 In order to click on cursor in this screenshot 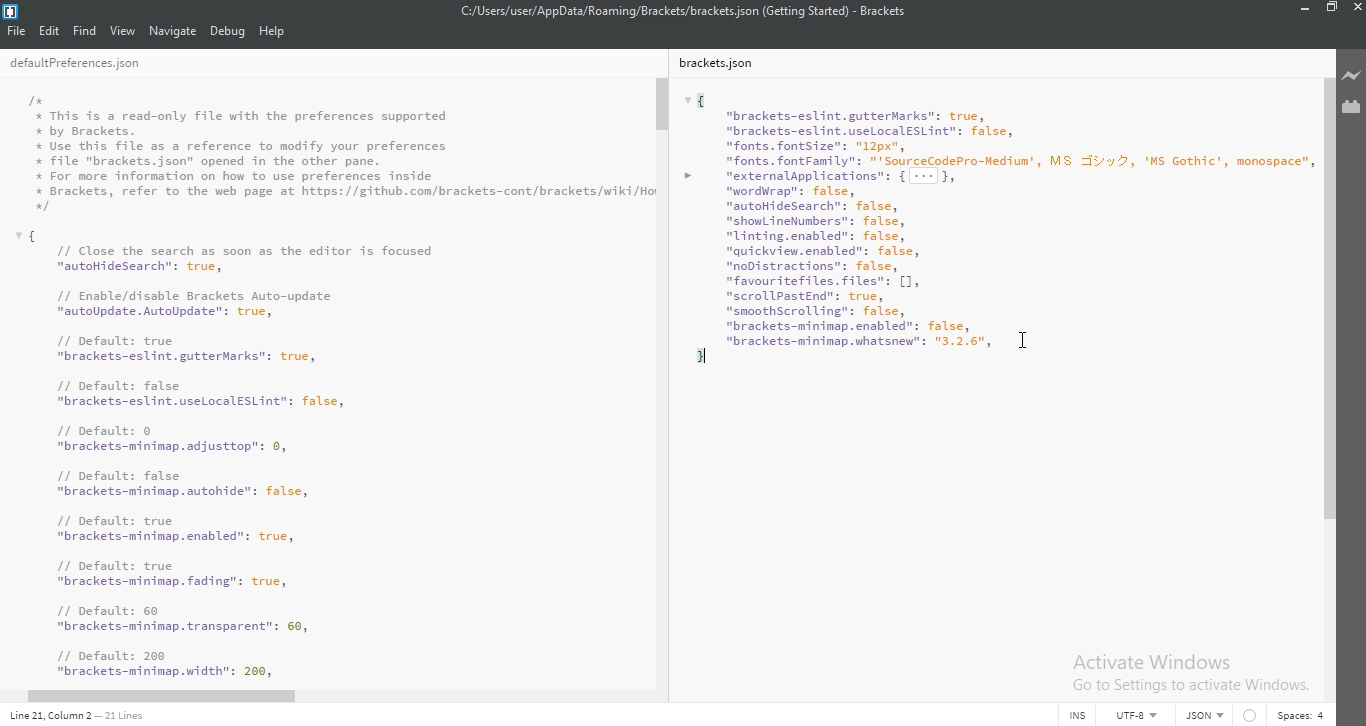, I will do `click(1028, 337)`.